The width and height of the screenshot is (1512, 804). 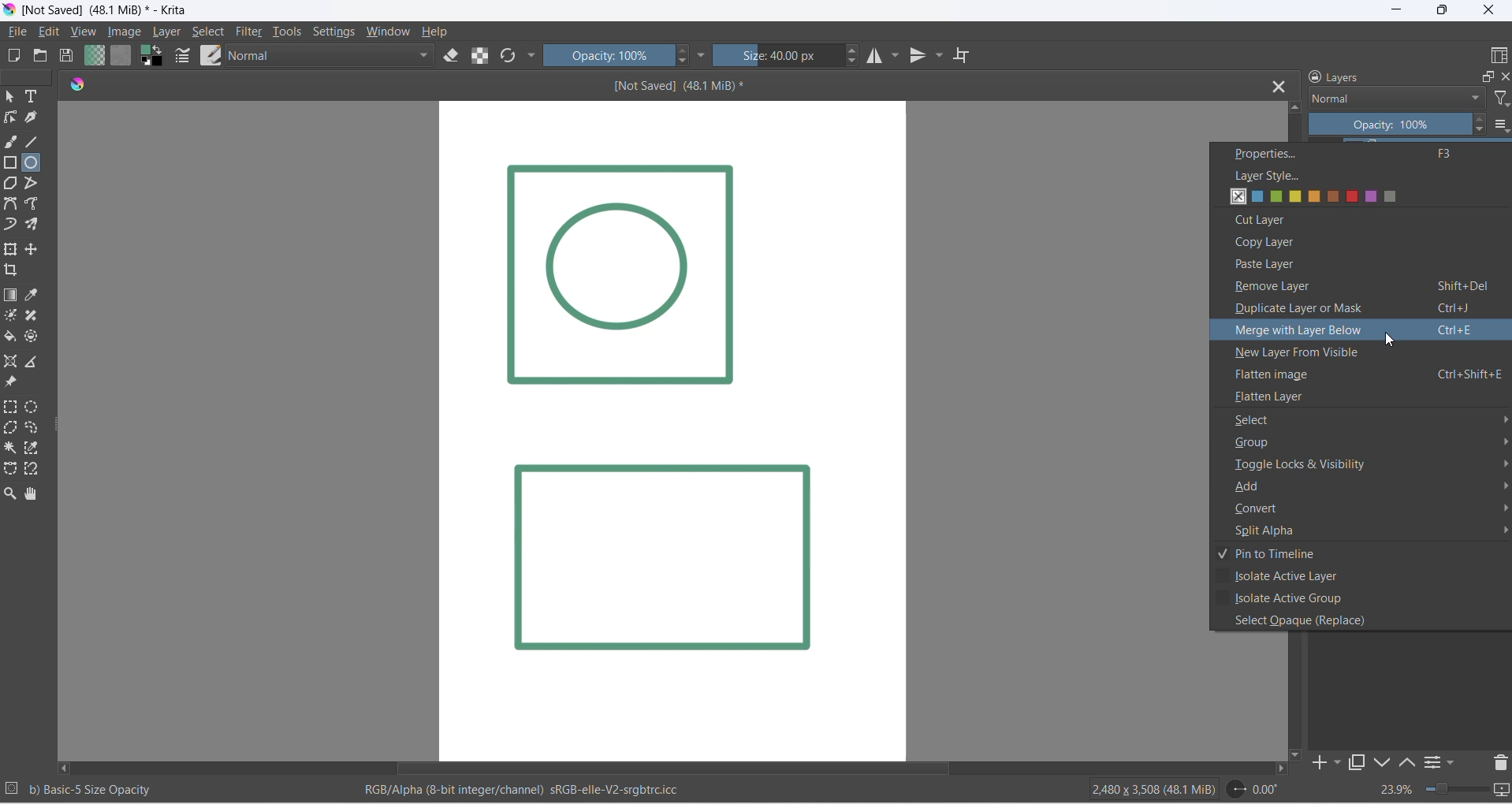 I want to click on crop image, so click(x=14, y=272).